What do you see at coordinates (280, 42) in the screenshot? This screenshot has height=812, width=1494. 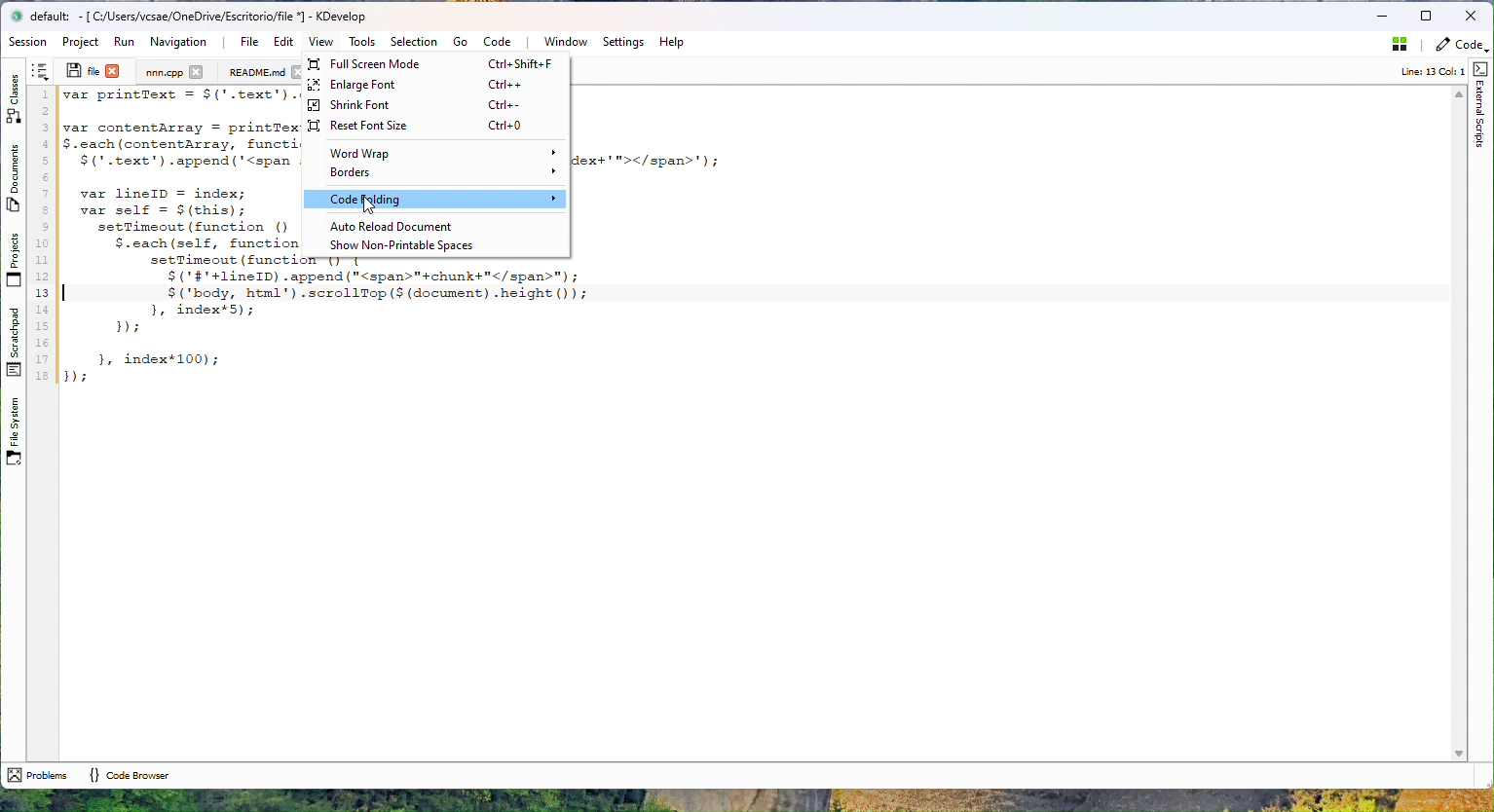 I see `Edit` at bounding box center [280, 42].